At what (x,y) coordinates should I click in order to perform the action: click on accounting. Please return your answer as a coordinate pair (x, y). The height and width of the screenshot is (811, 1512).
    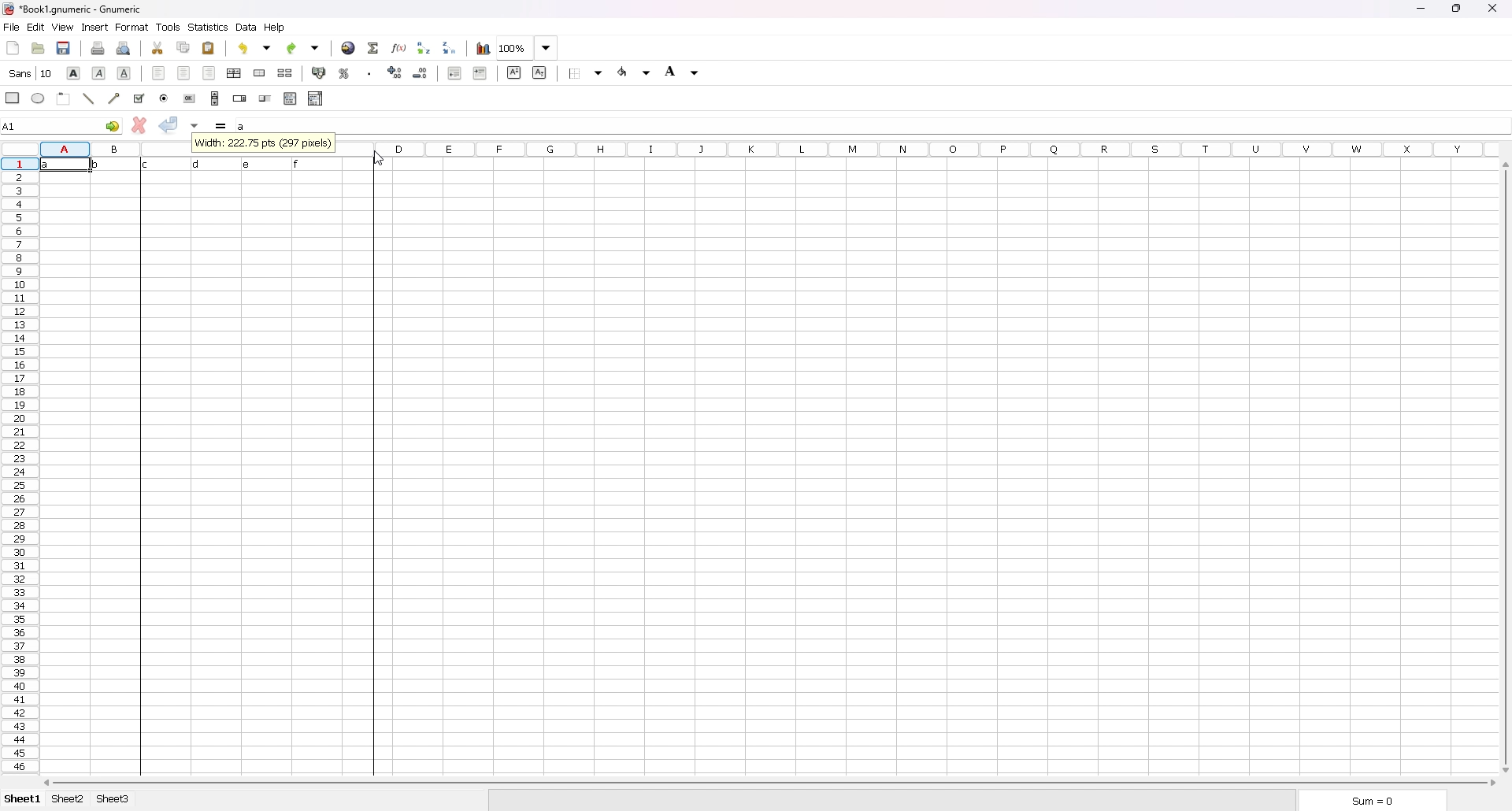
    Looking at the image, I should click on (320, 72).